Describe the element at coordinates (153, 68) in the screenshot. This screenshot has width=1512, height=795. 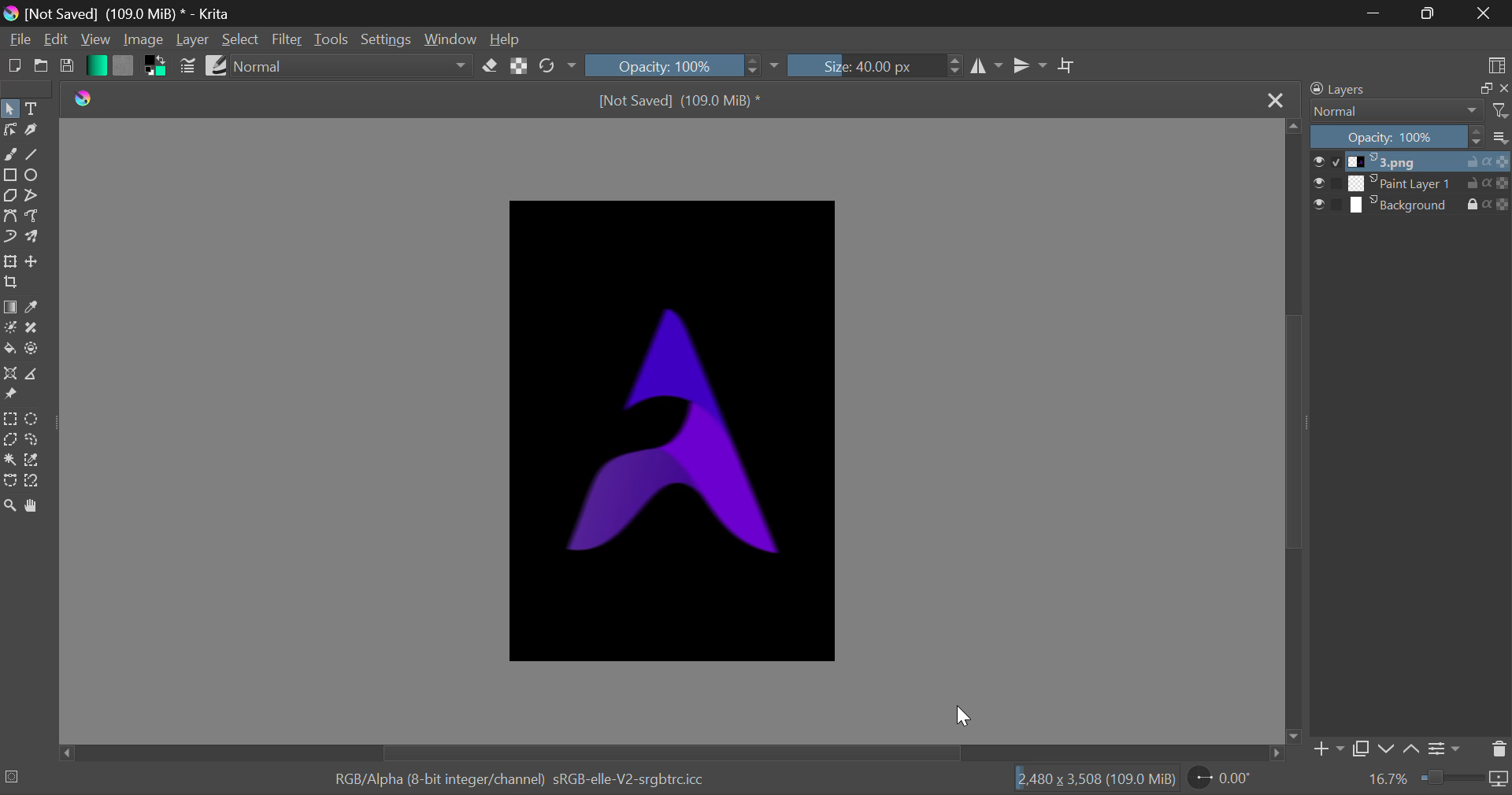
I see `Colors in Use` at that location.